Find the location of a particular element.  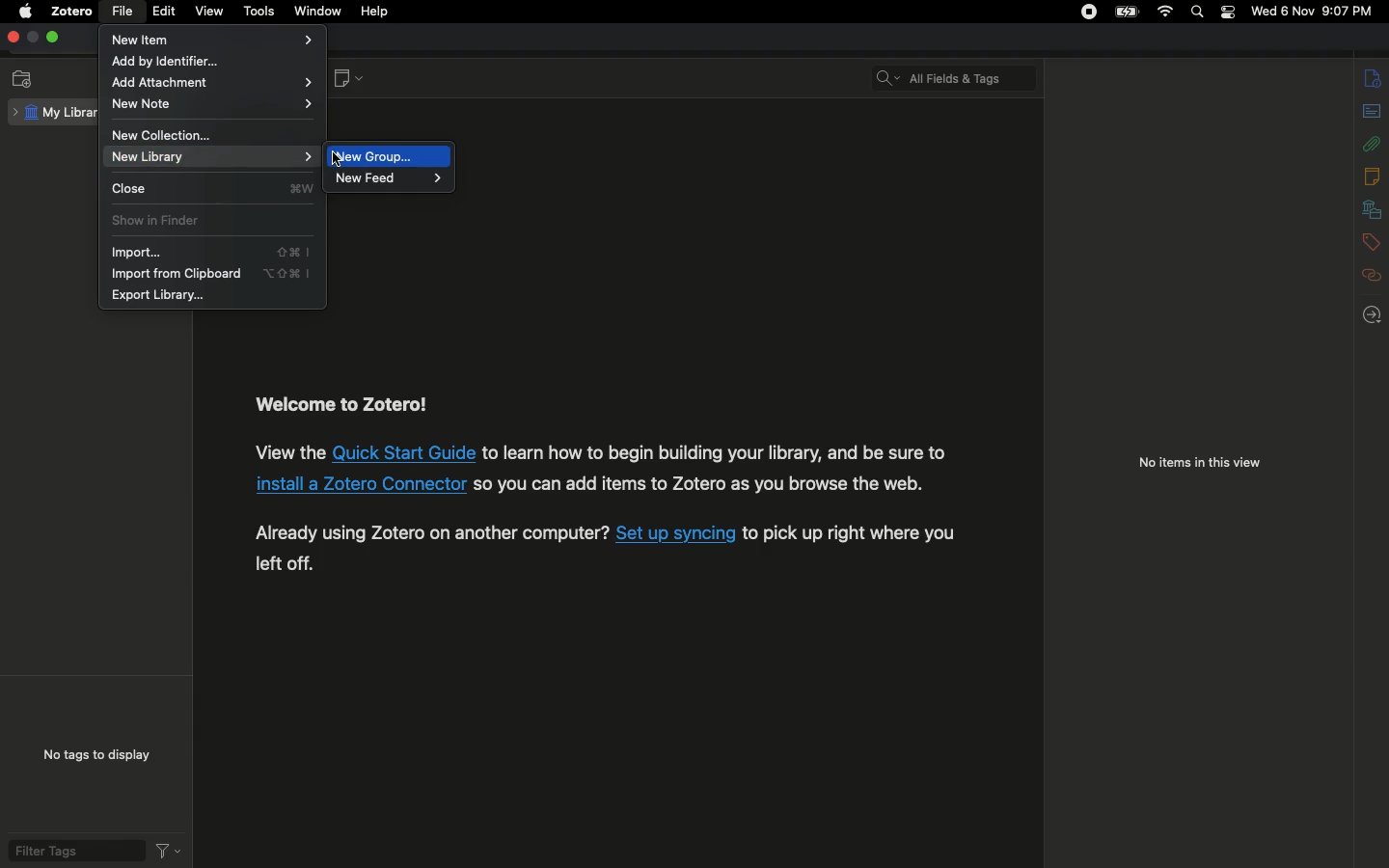

Internet is located at coordinates (1163, 13).